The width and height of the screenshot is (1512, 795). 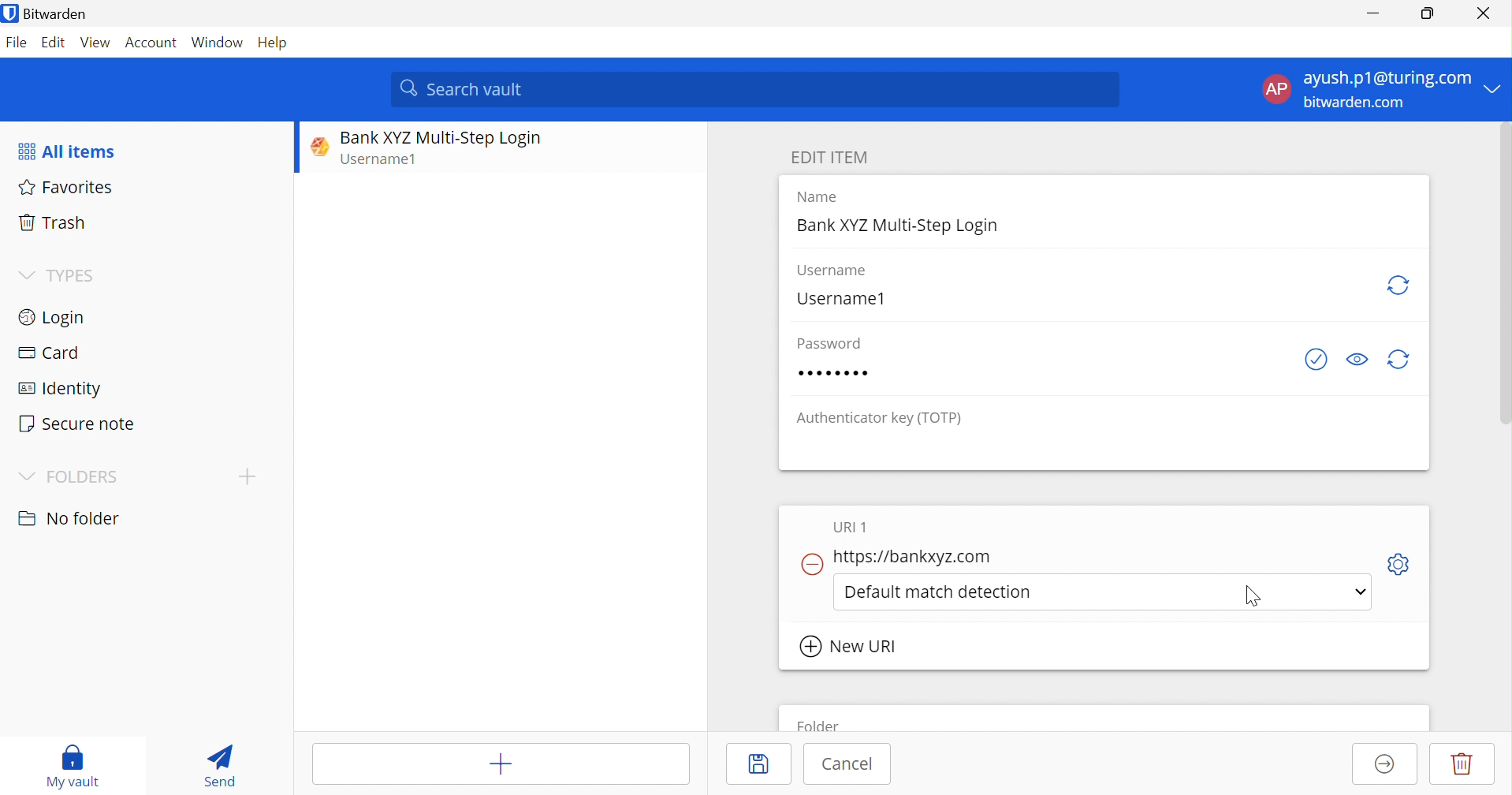 I want to click on URI 1, so click(x=852, y=528).